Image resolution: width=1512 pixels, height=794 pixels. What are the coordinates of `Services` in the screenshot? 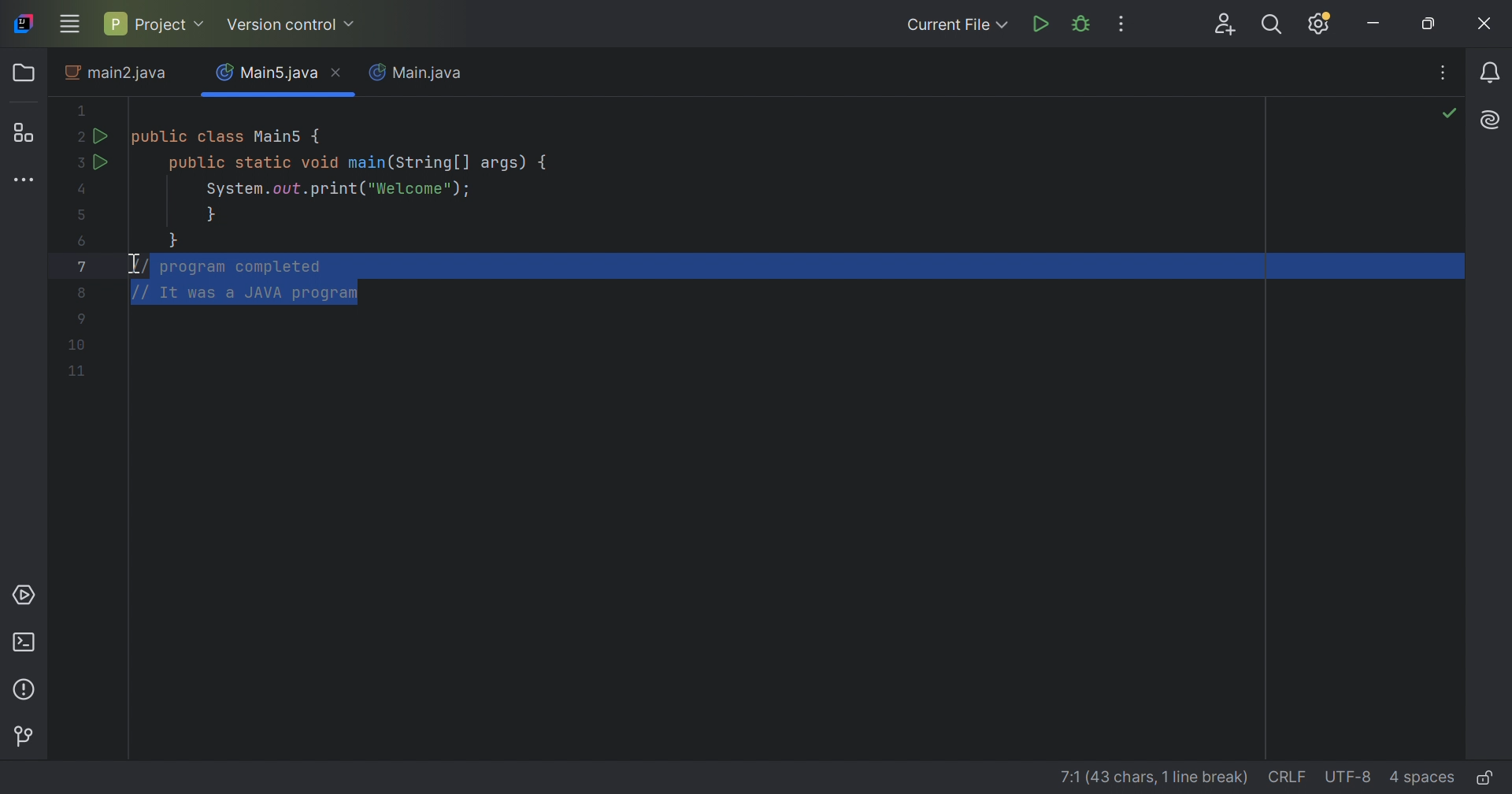 It's located at (28, 597).